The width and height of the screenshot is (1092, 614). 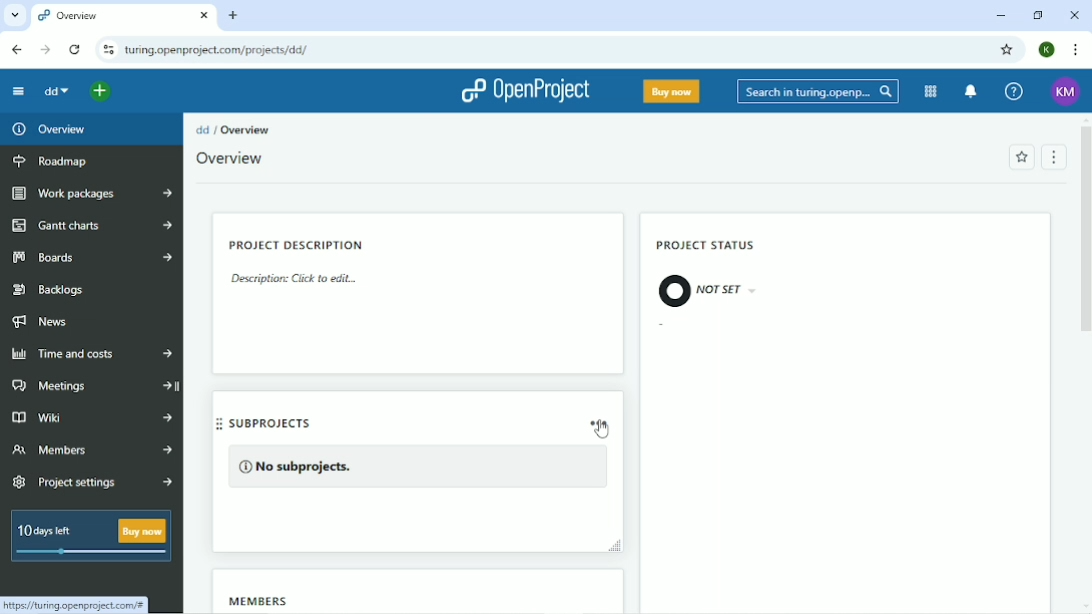 I want to click on Meetings, so click(x=94, y=385).